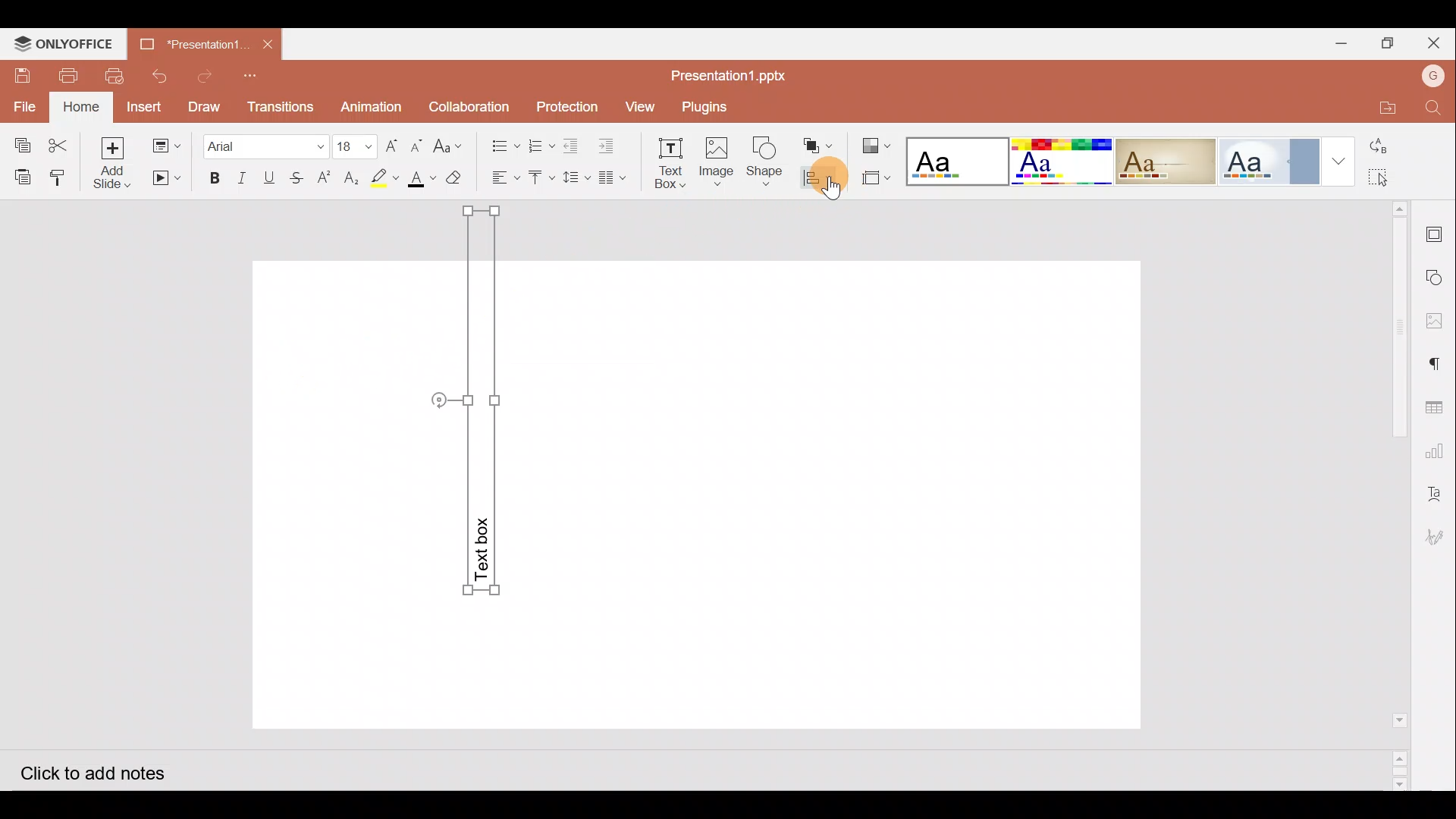  Describe the element at coordinates (1439, 232) in the screenshot. I see `Slide settings` at that location.